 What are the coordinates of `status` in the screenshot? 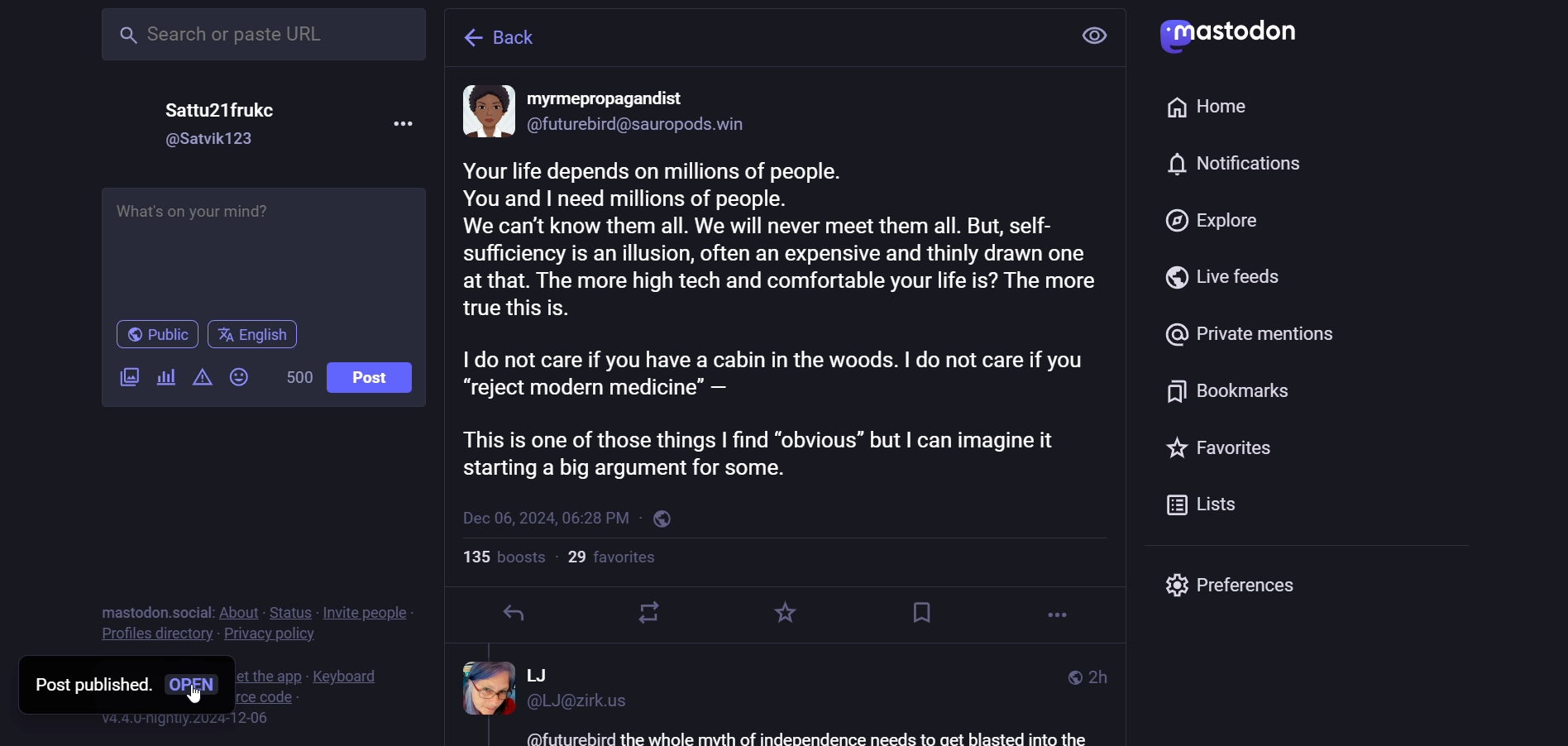 It's located at (292, 612).